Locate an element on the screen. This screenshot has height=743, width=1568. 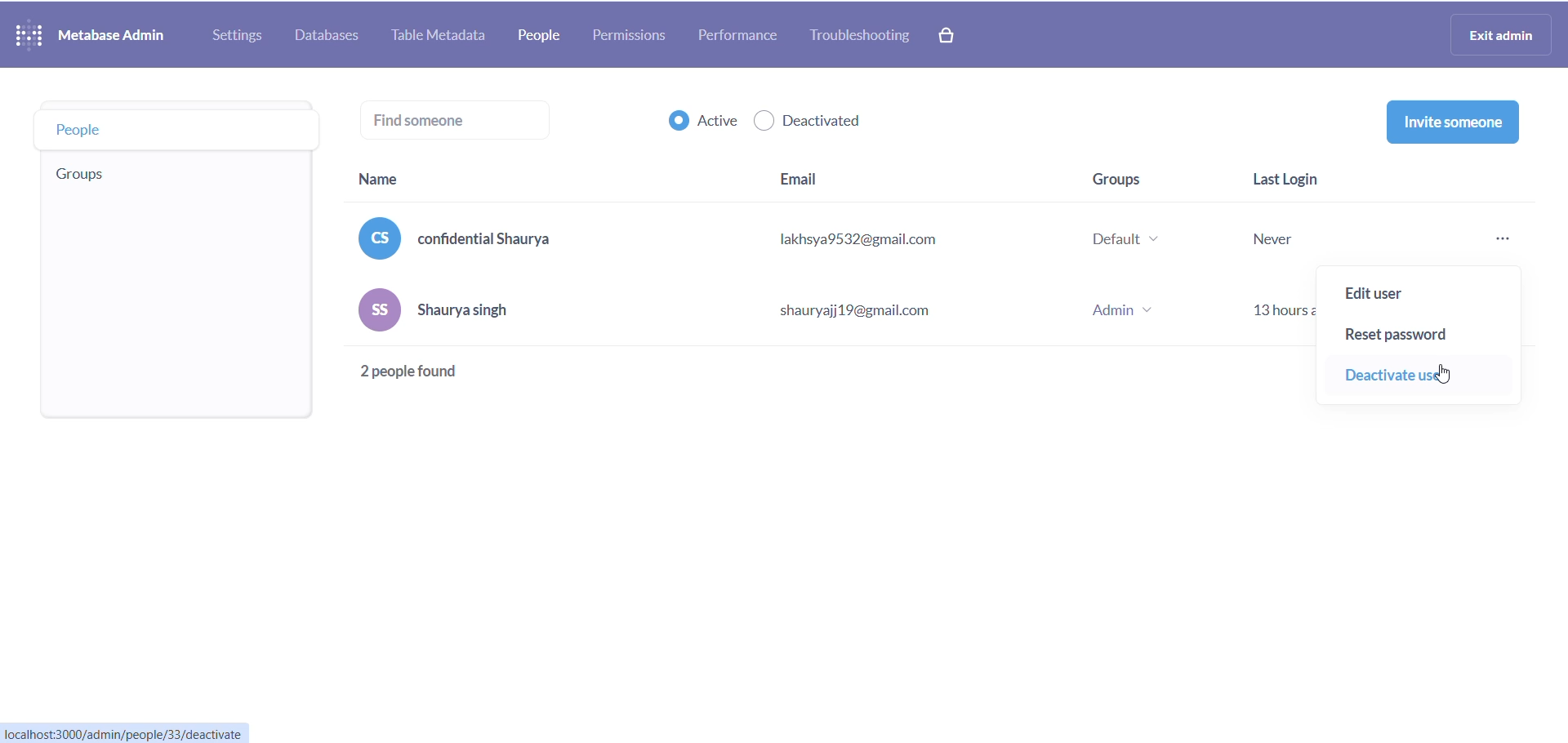
last login is located at coordinates (1310, 181).